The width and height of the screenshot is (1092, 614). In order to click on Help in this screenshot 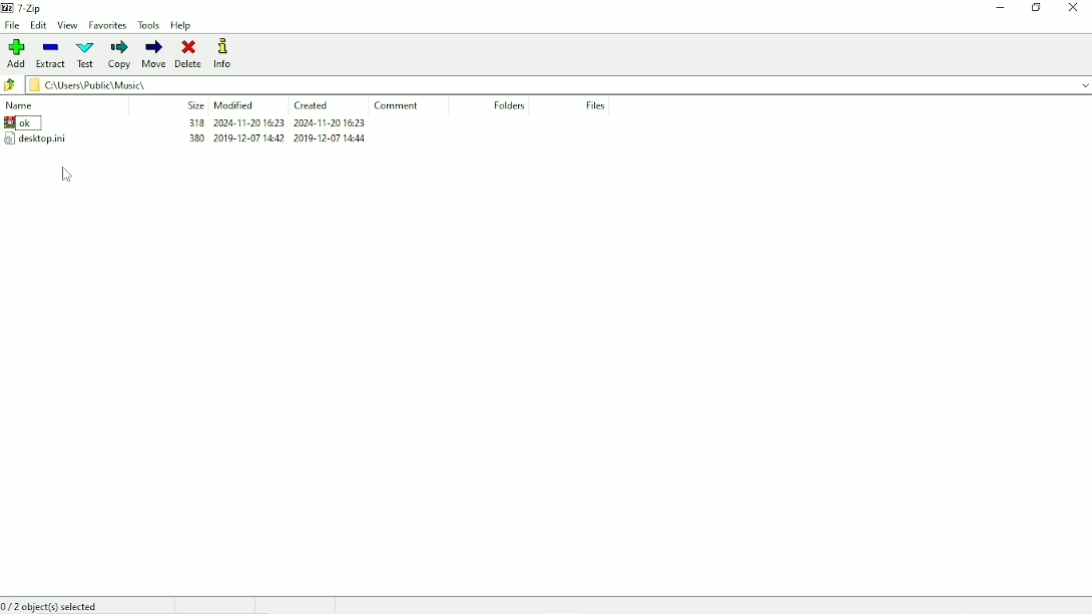, I will do `click(182, 26)`.